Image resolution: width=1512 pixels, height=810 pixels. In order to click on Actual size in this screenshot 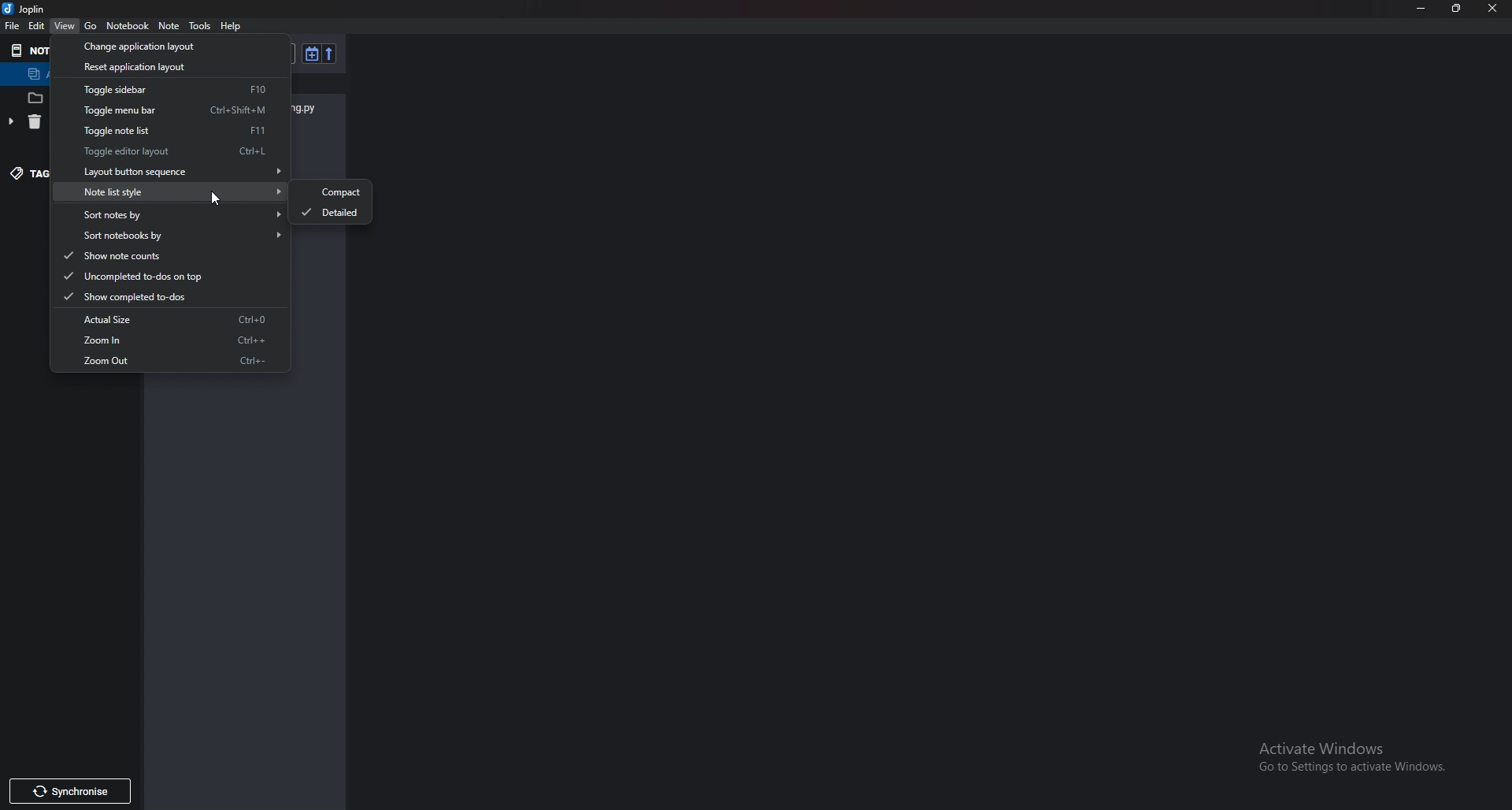, I will do `click(170, 318)`.